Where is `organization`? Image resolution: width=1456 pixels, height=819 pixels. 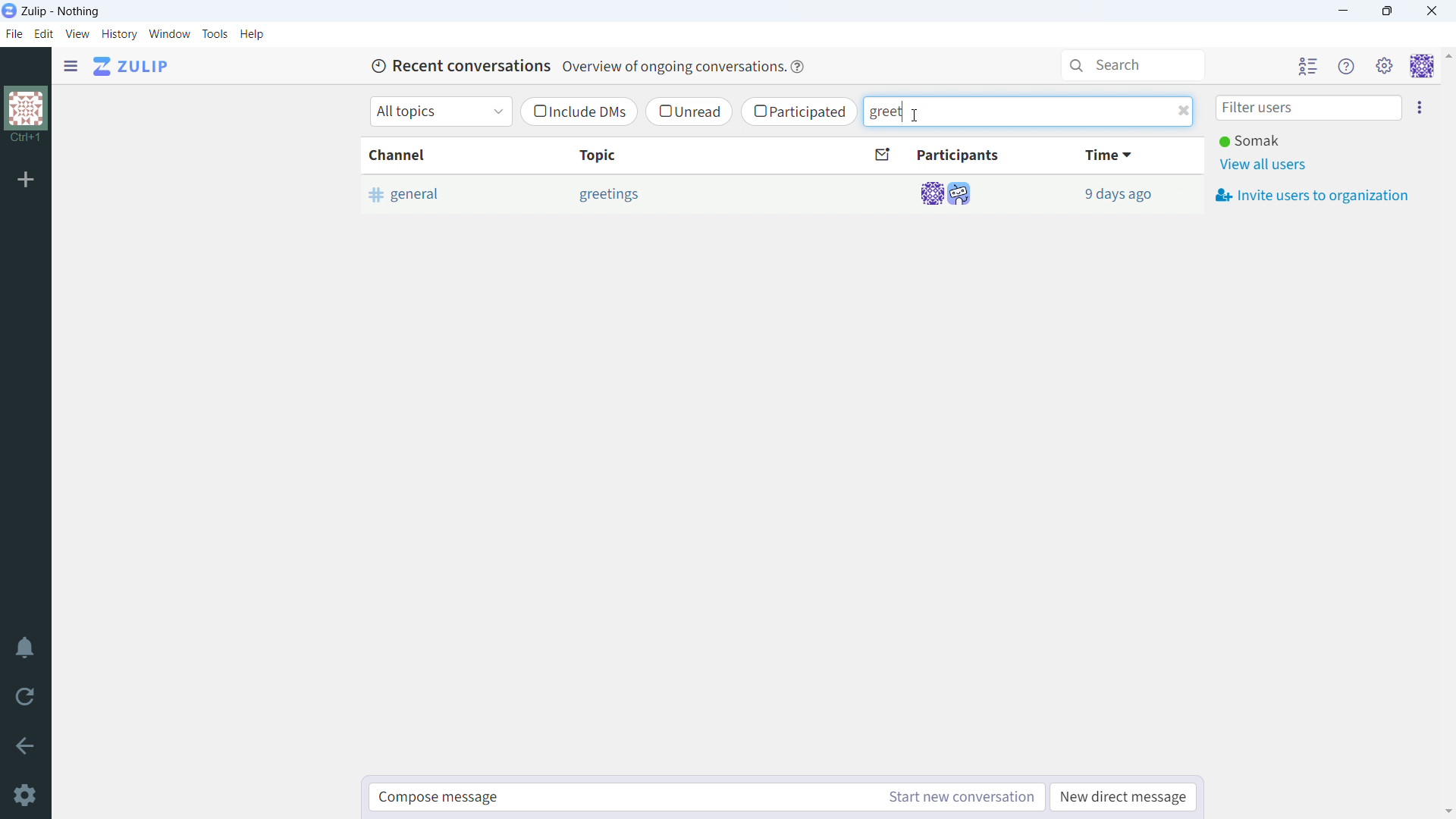 organization is located at coordinates (26, 108).